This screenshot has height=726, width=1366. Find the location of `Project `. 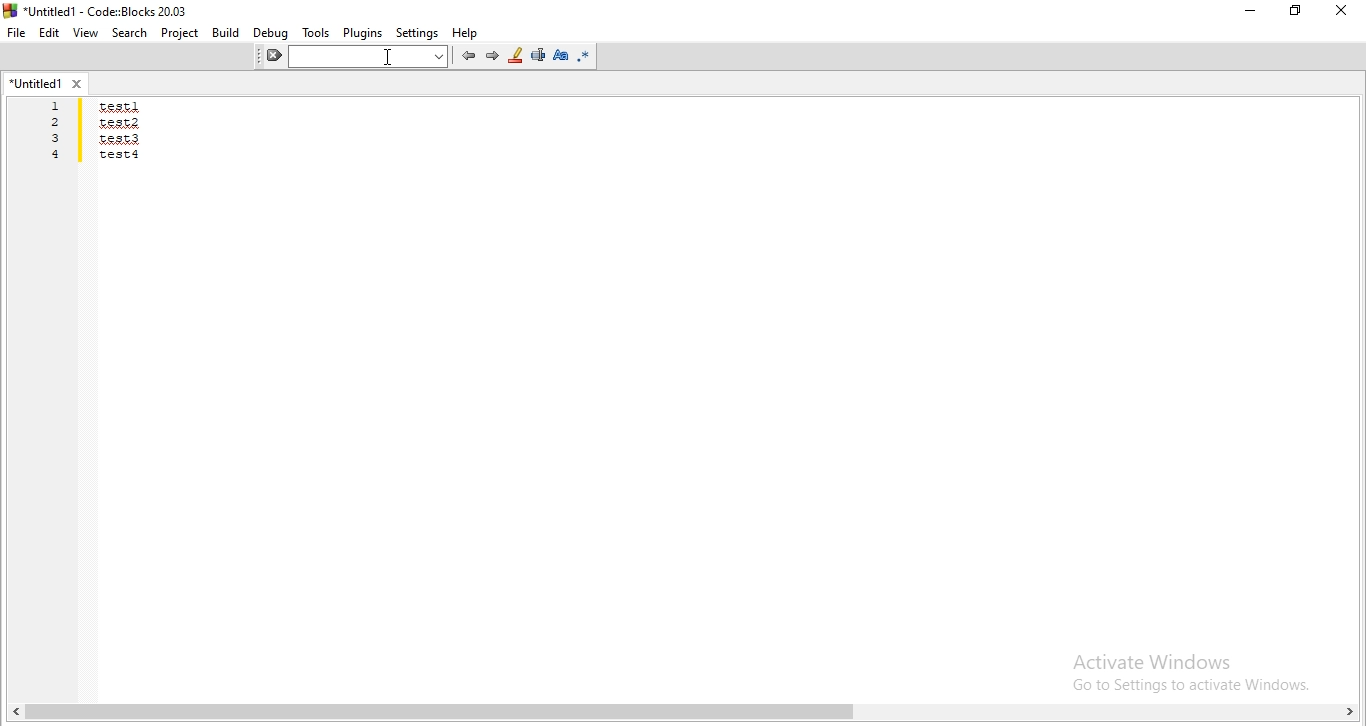

Project  is located at coordinates (181, 32).